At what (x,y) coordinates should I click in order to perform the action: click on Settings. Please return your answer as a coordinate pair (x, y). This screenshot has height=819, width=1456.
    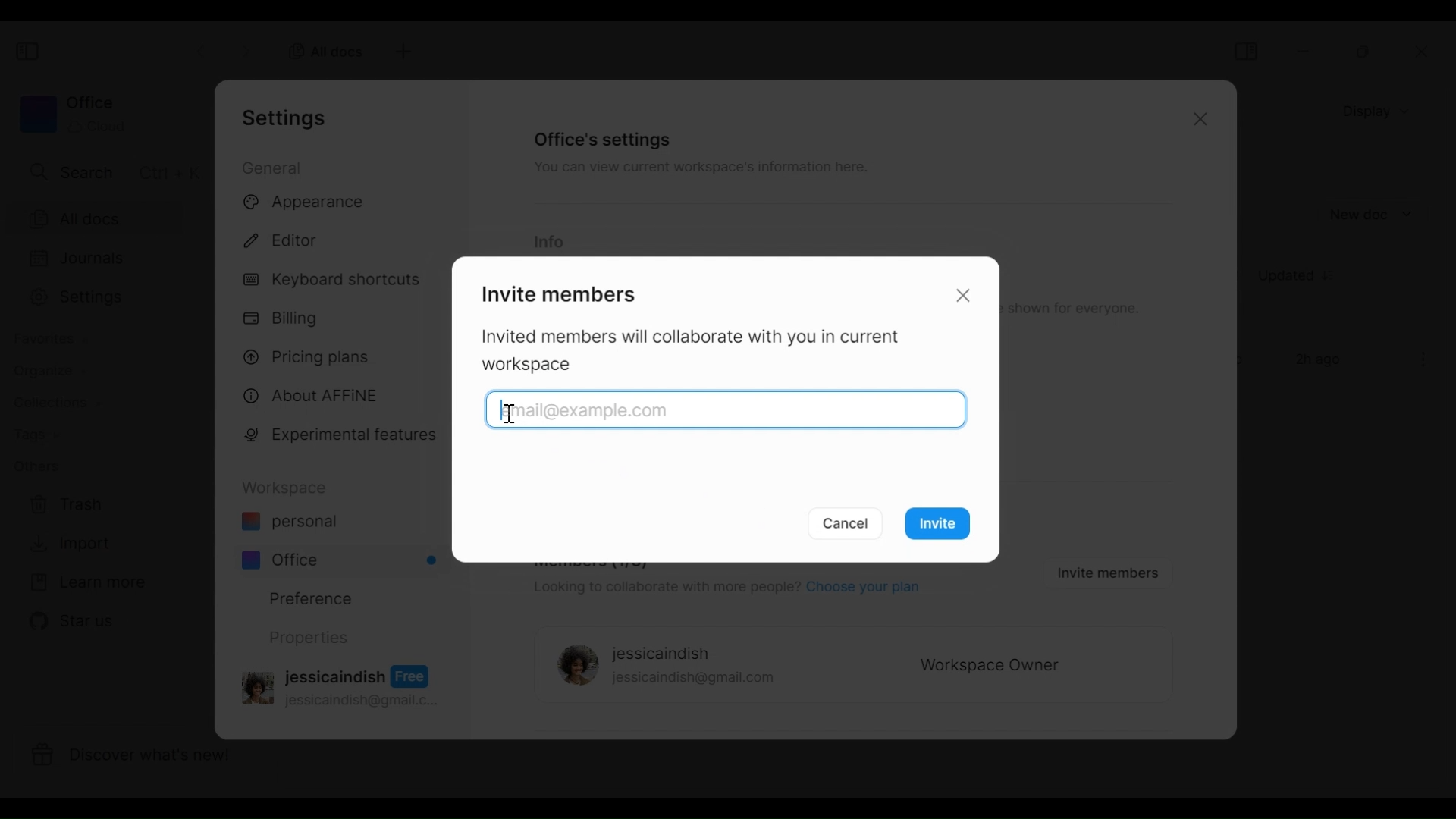
    Looking at the image, I should click on (289, 118).